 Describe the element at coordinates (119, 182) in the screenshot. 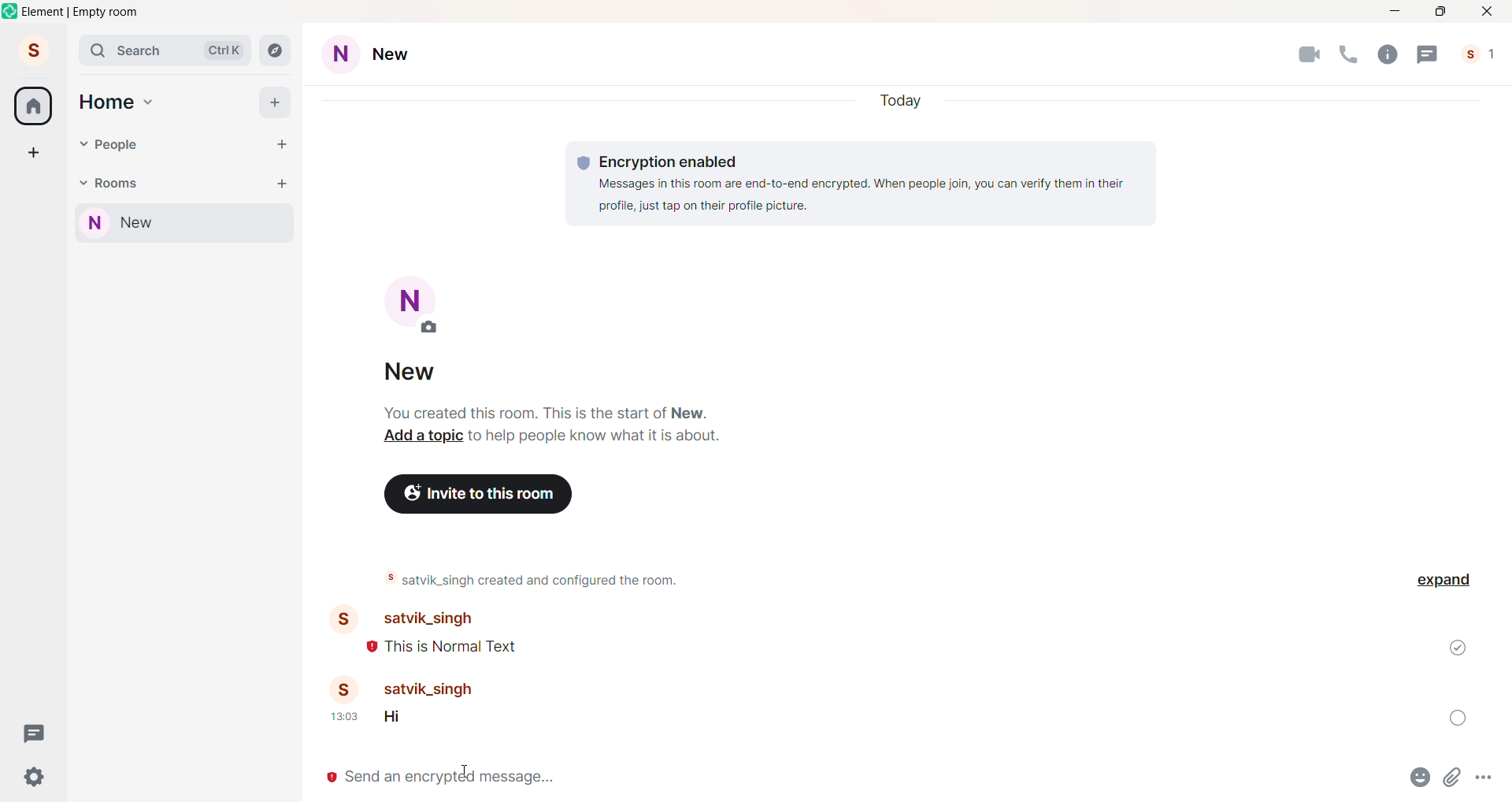

I see `Rooms` at that location.